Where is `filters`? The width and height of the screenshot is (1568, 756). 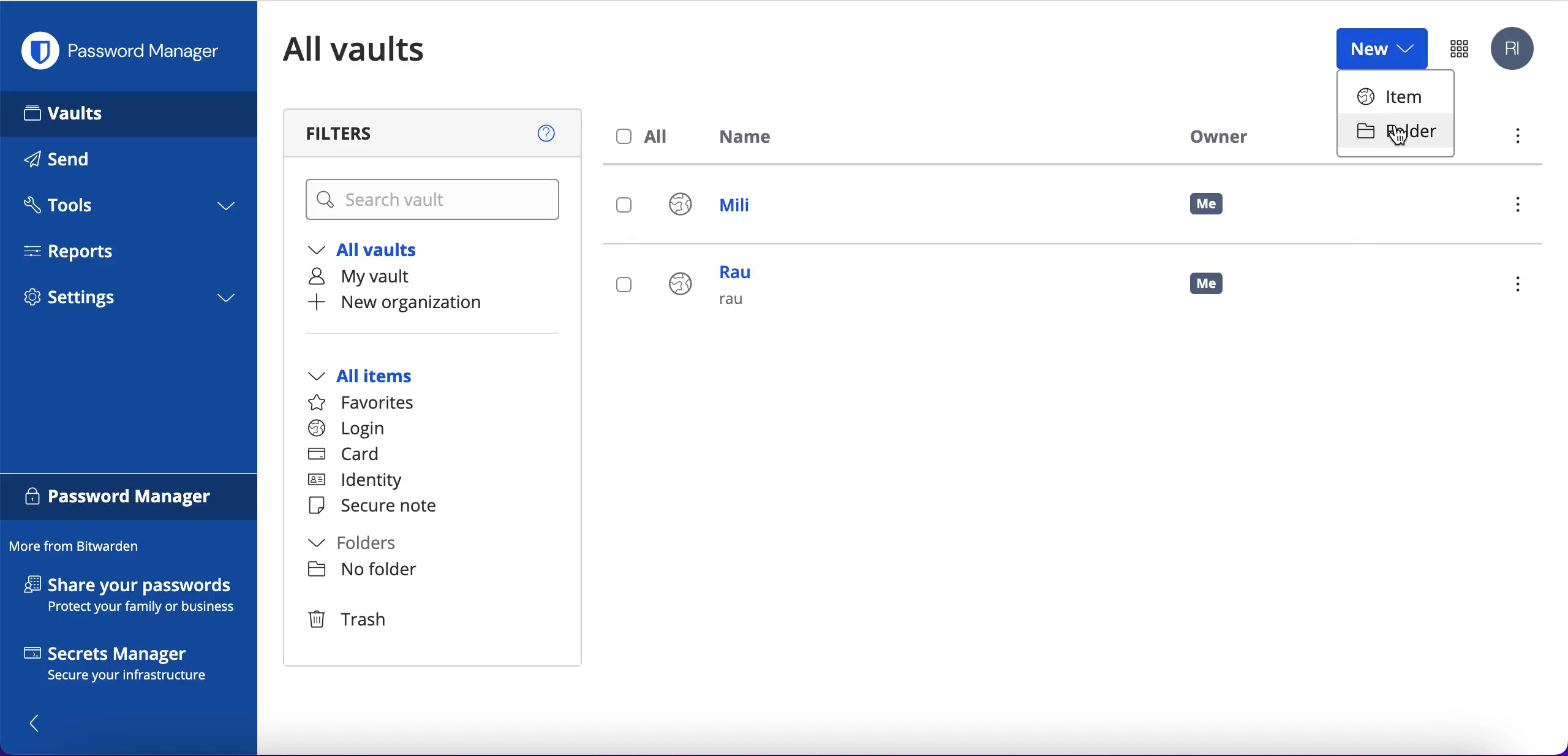 filters is located at coordinates (435, 133).